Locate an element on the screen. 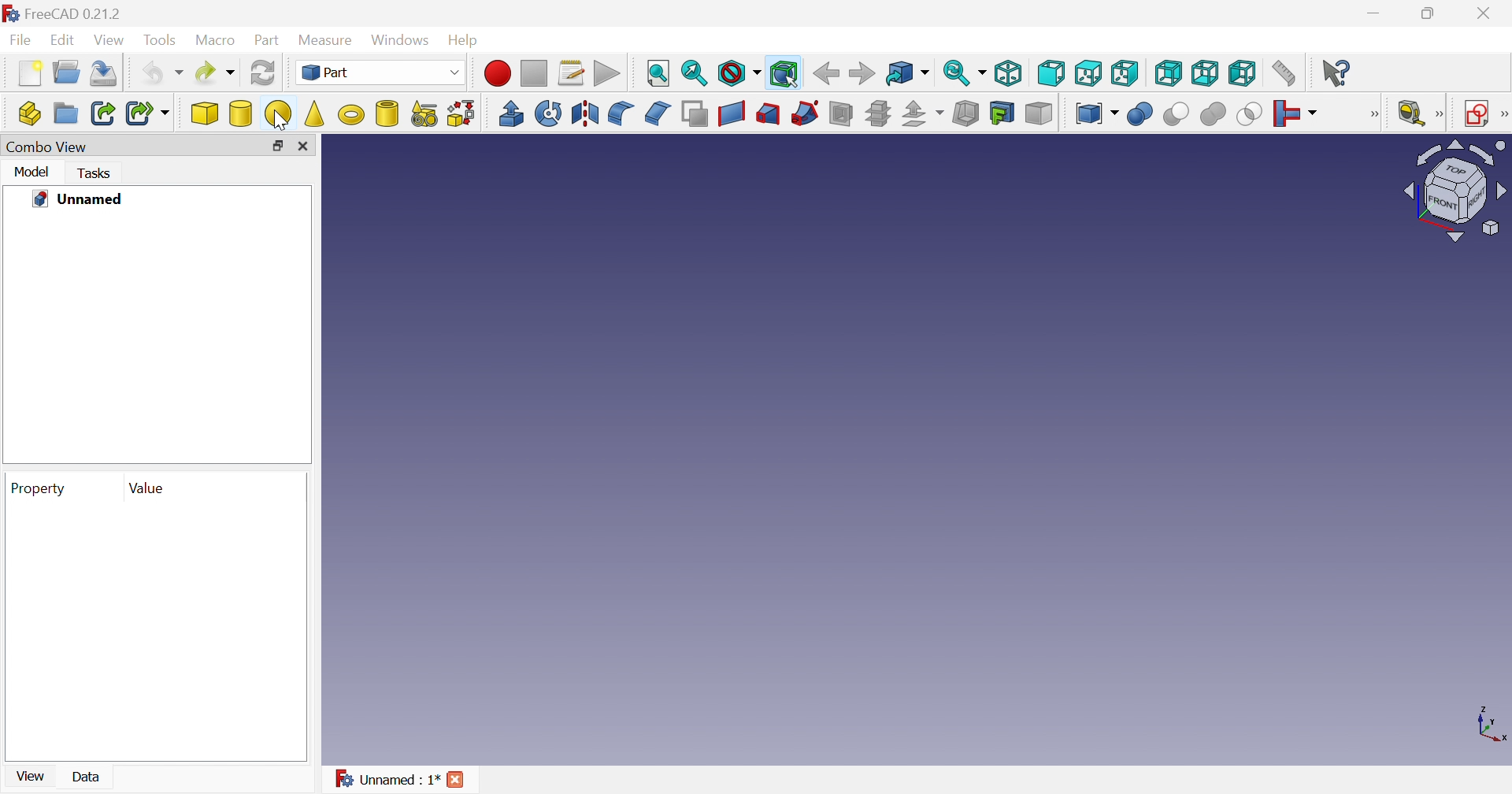  Undo is located at coordinates (163, 73).